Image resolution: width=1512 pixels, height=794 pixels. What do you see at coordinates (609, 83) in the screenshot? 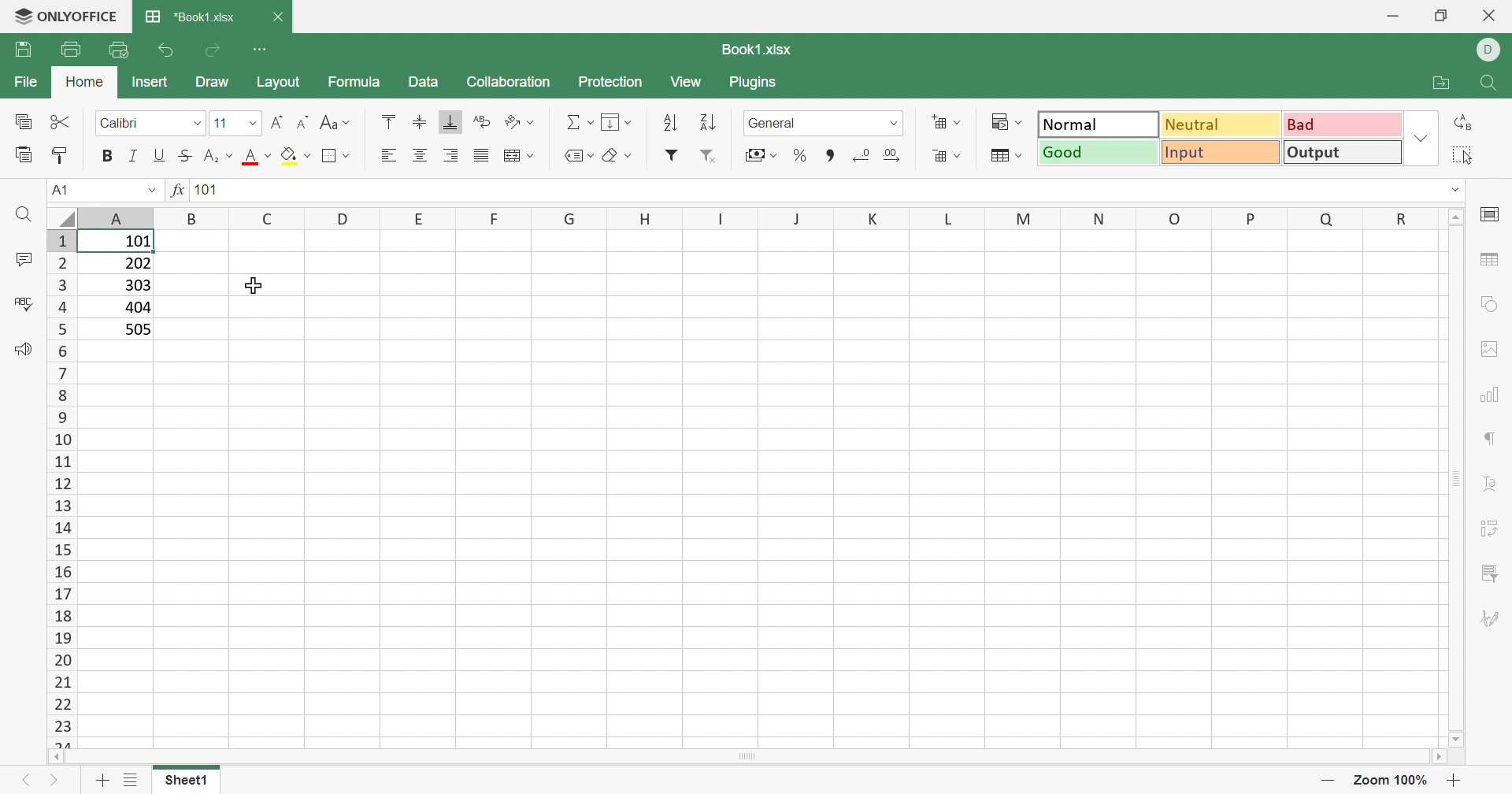
I see `Protection` at bounding box center [609, 83].